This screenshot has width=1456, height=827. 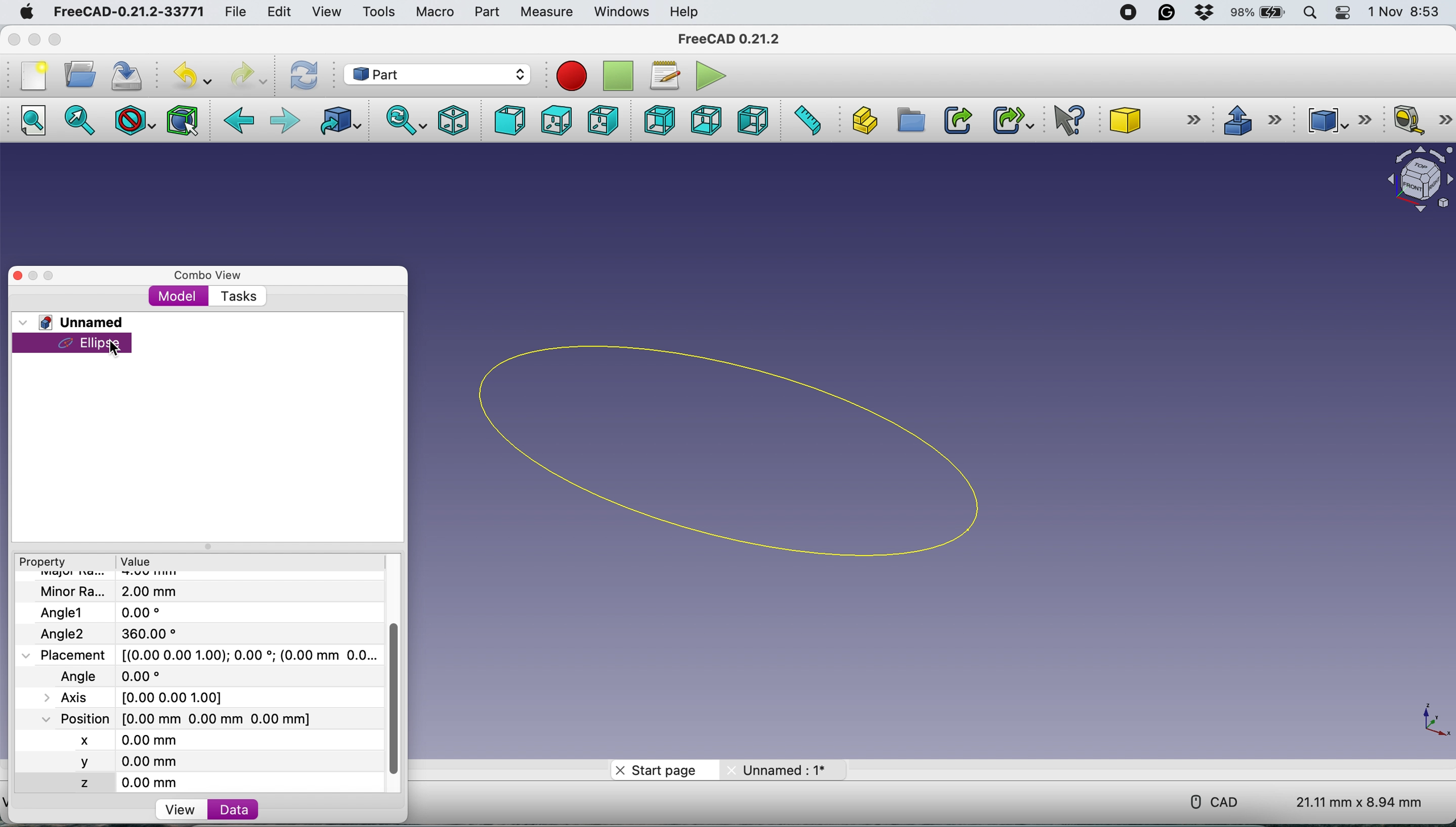 What do you see at coordinates (1341, 13) in the screenshot?
I see `control center` at bounding box center [1341, 13].